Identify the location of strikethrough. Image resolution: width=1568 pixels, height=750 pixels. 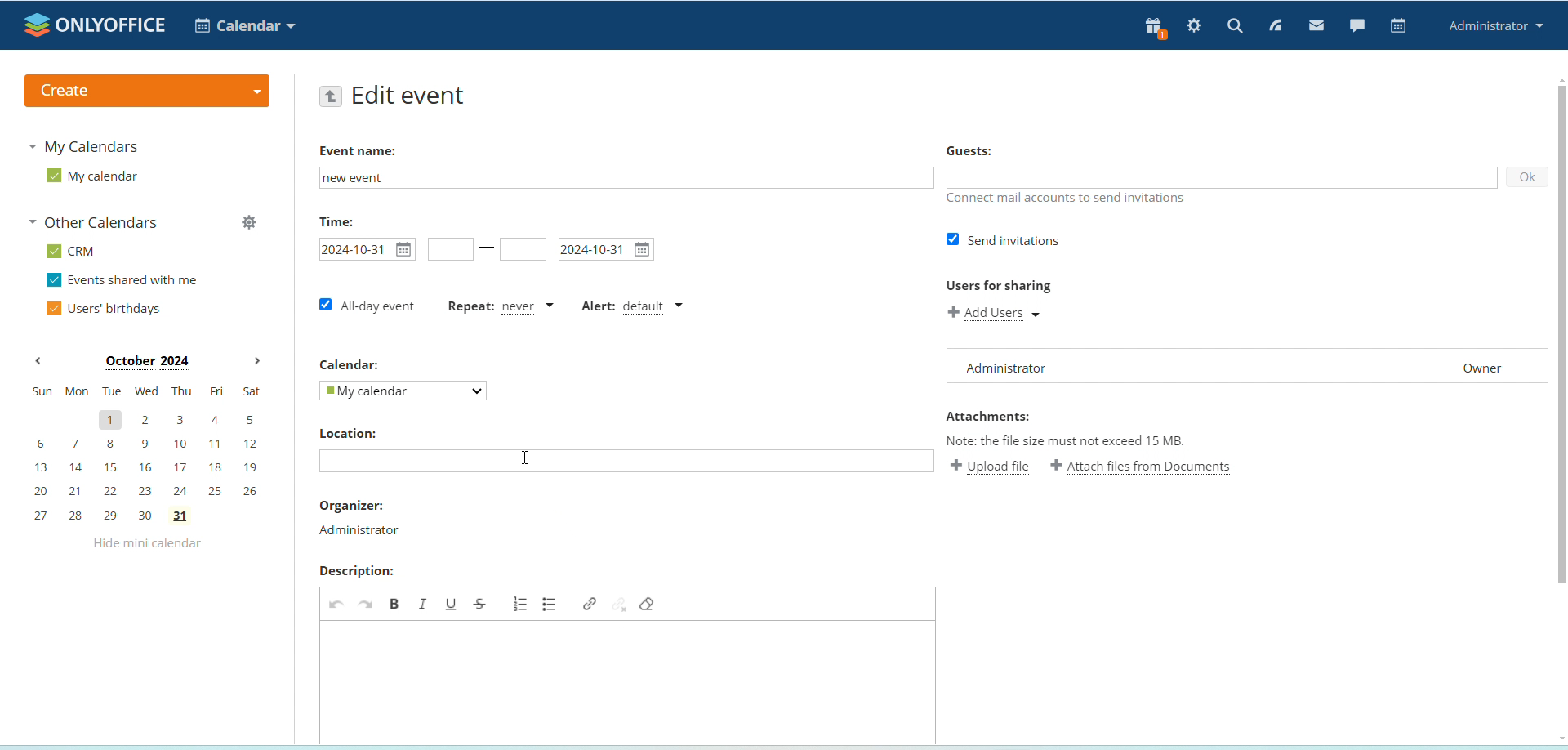
(480, 604).